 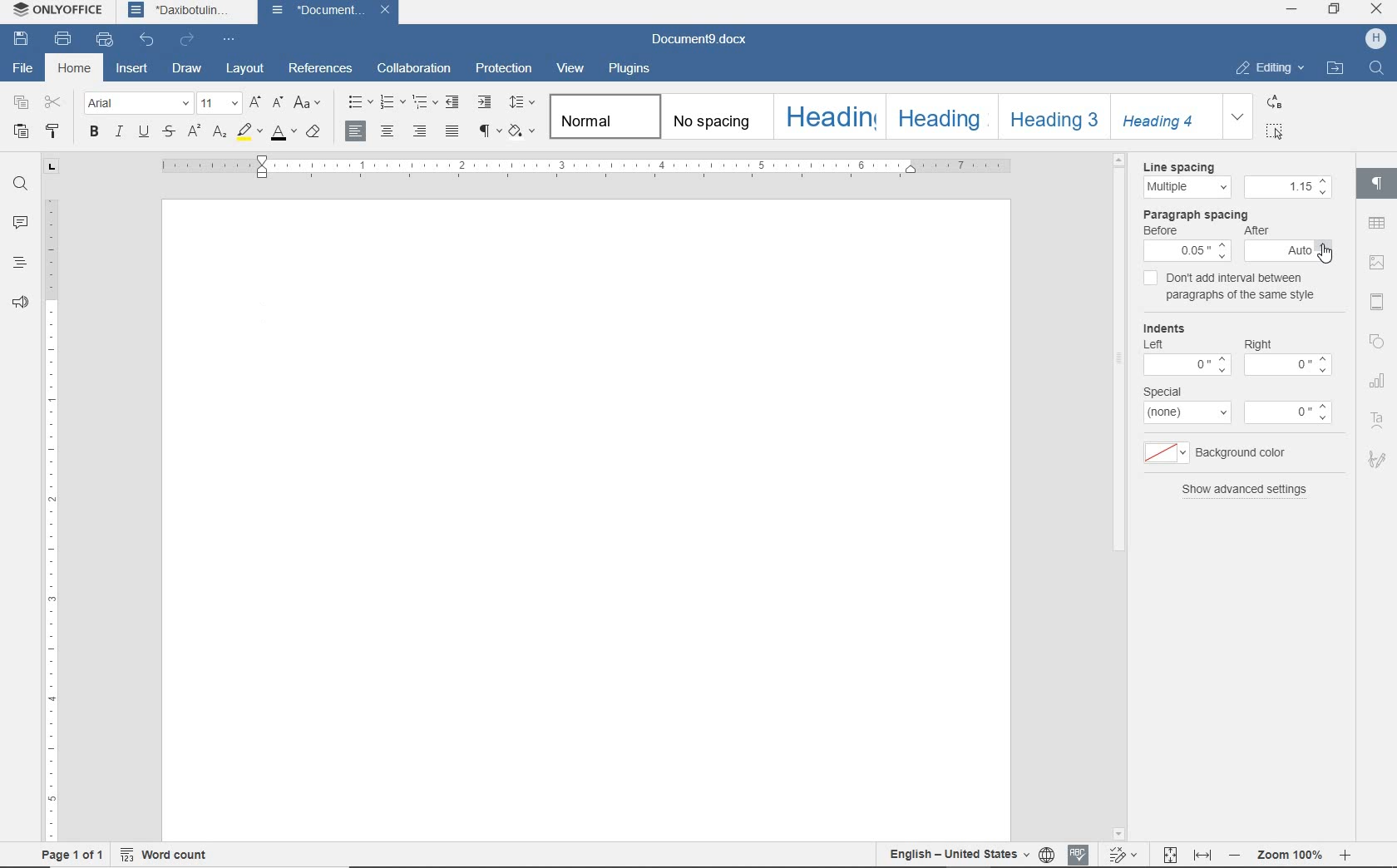 I want to click on background color, so click(x=1166, y=455).